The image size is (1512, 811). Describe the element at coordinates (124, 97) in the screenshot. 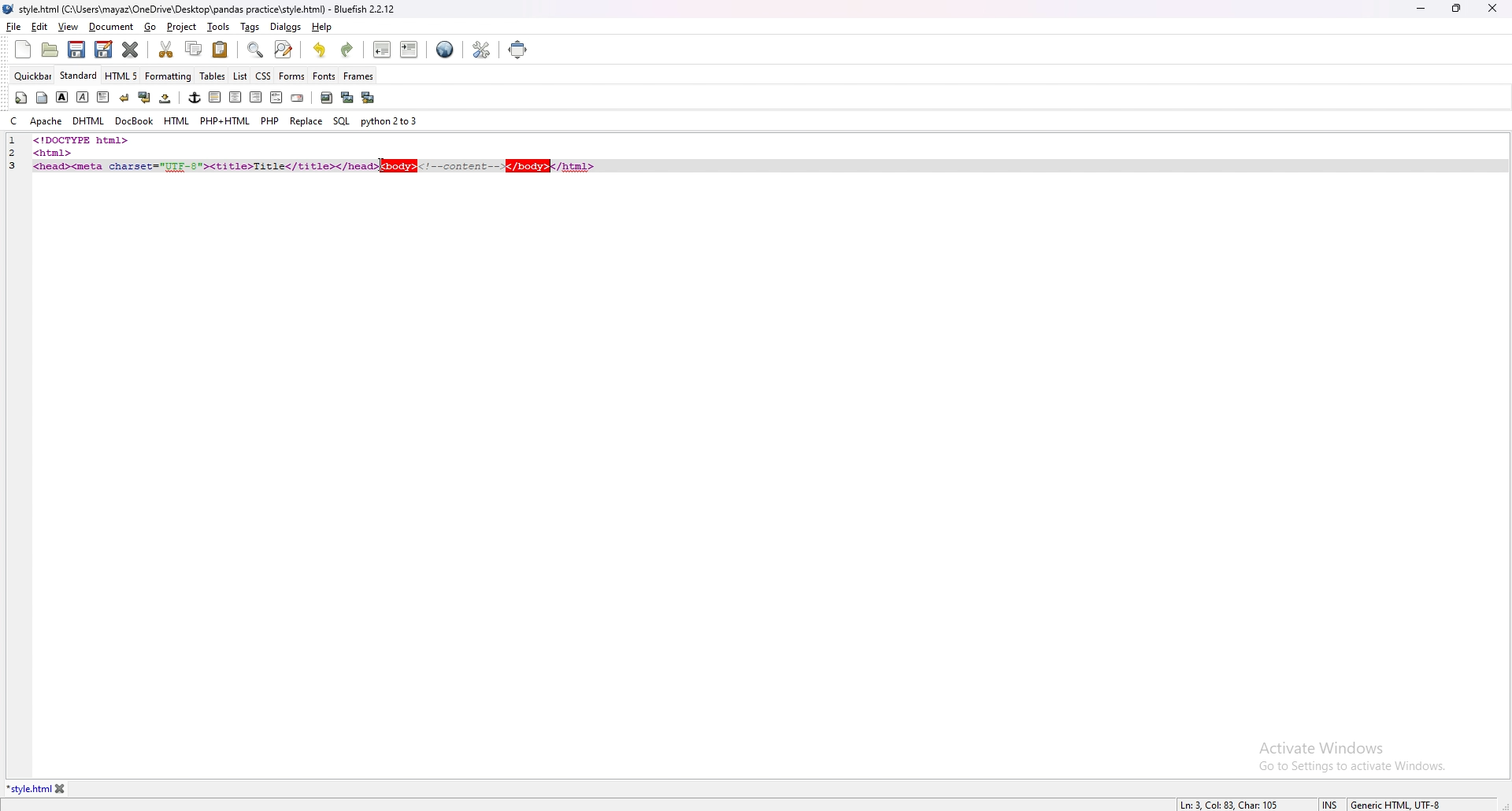

I see `break` at that location.